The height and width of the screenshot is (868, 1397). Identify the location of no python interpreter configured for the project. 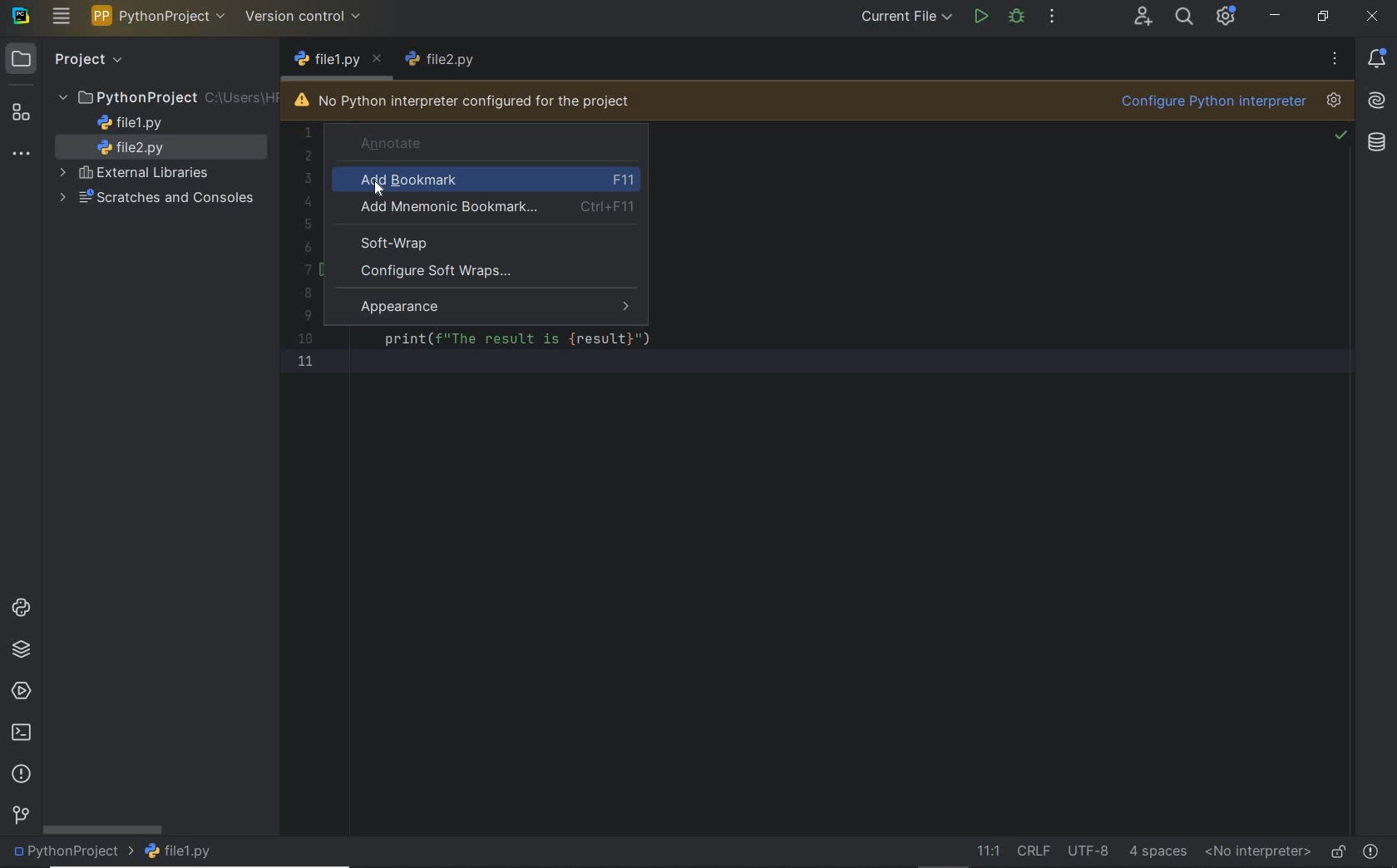
(463, 101).